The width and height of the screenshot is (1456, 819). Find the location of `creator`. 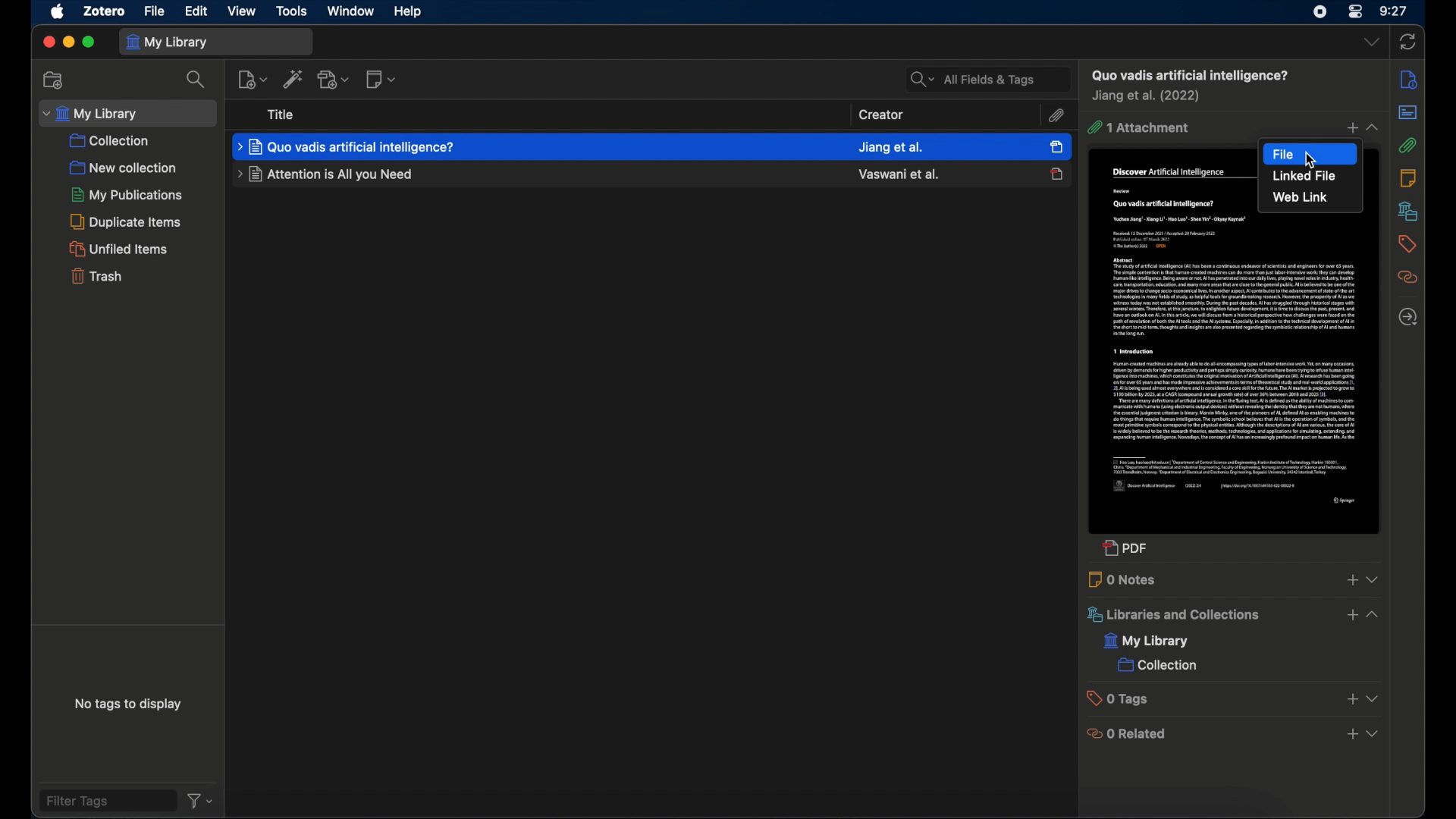

creator is located at coordinates (883, 115).